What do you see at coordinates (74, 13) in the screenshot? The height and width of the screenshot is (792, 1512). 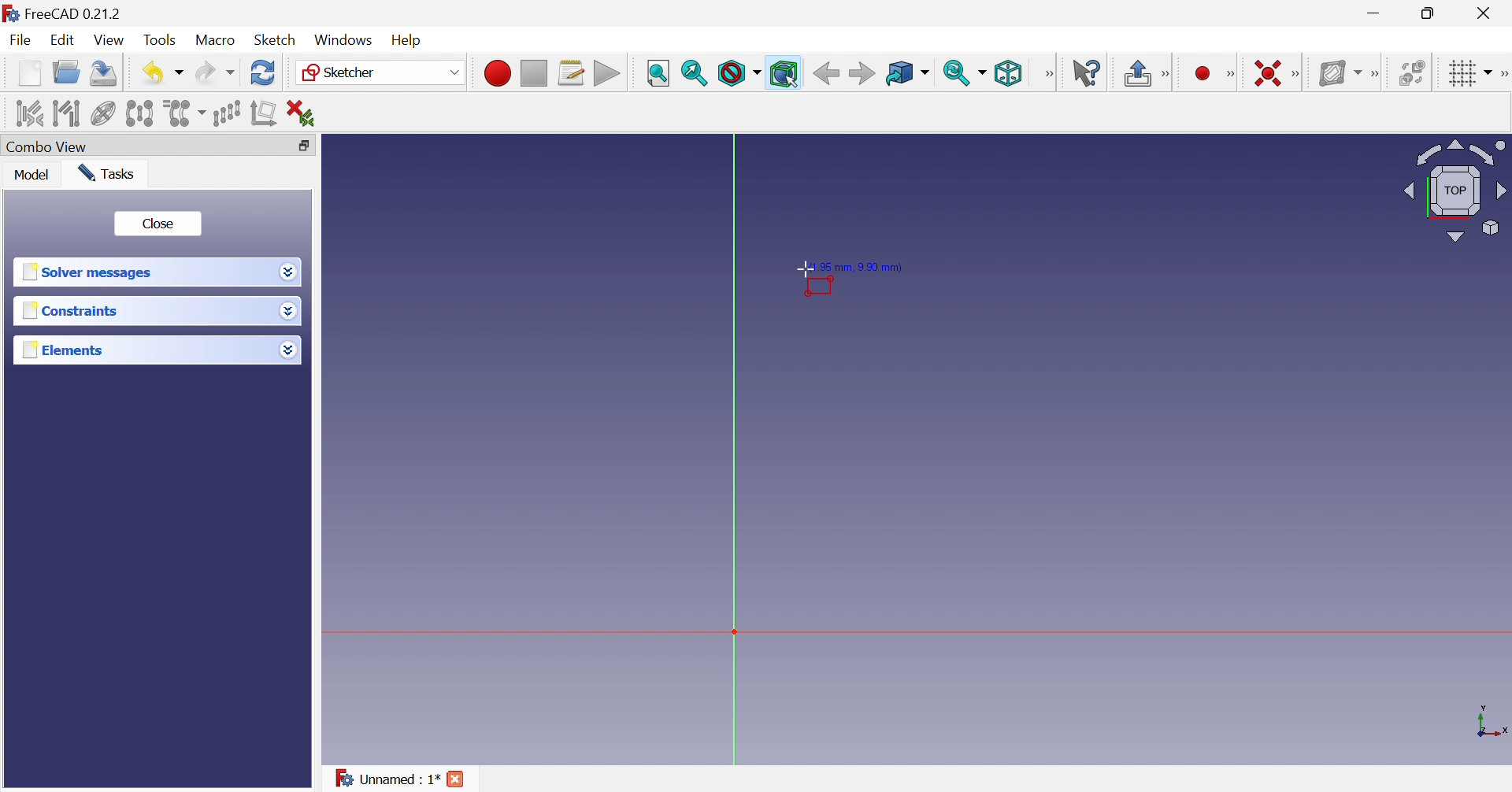 I see `FreeCAD 0.21.2` at bounding box center [74, 13].